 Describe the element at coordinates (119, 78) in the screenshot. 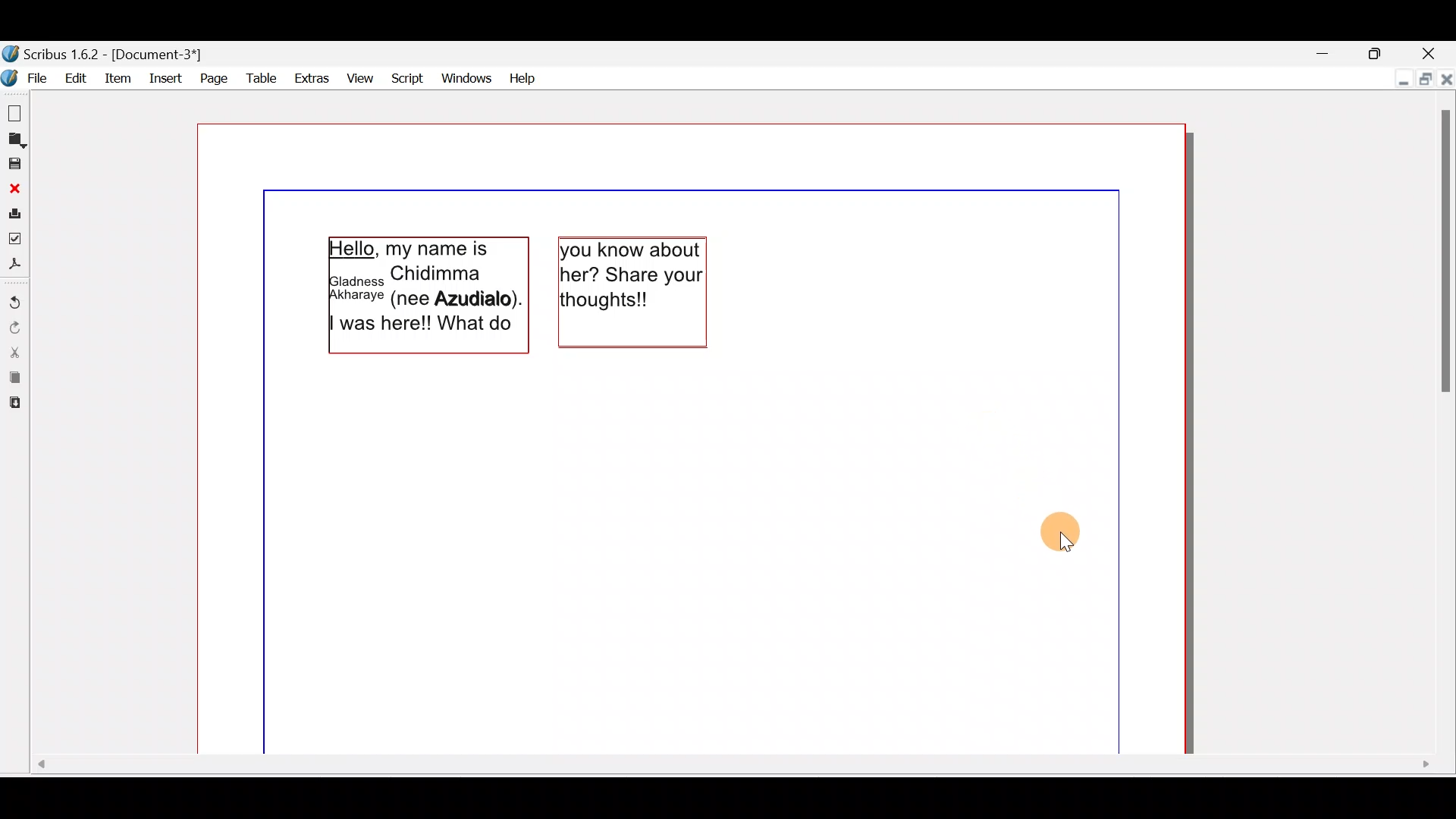

I see `item` at that location.